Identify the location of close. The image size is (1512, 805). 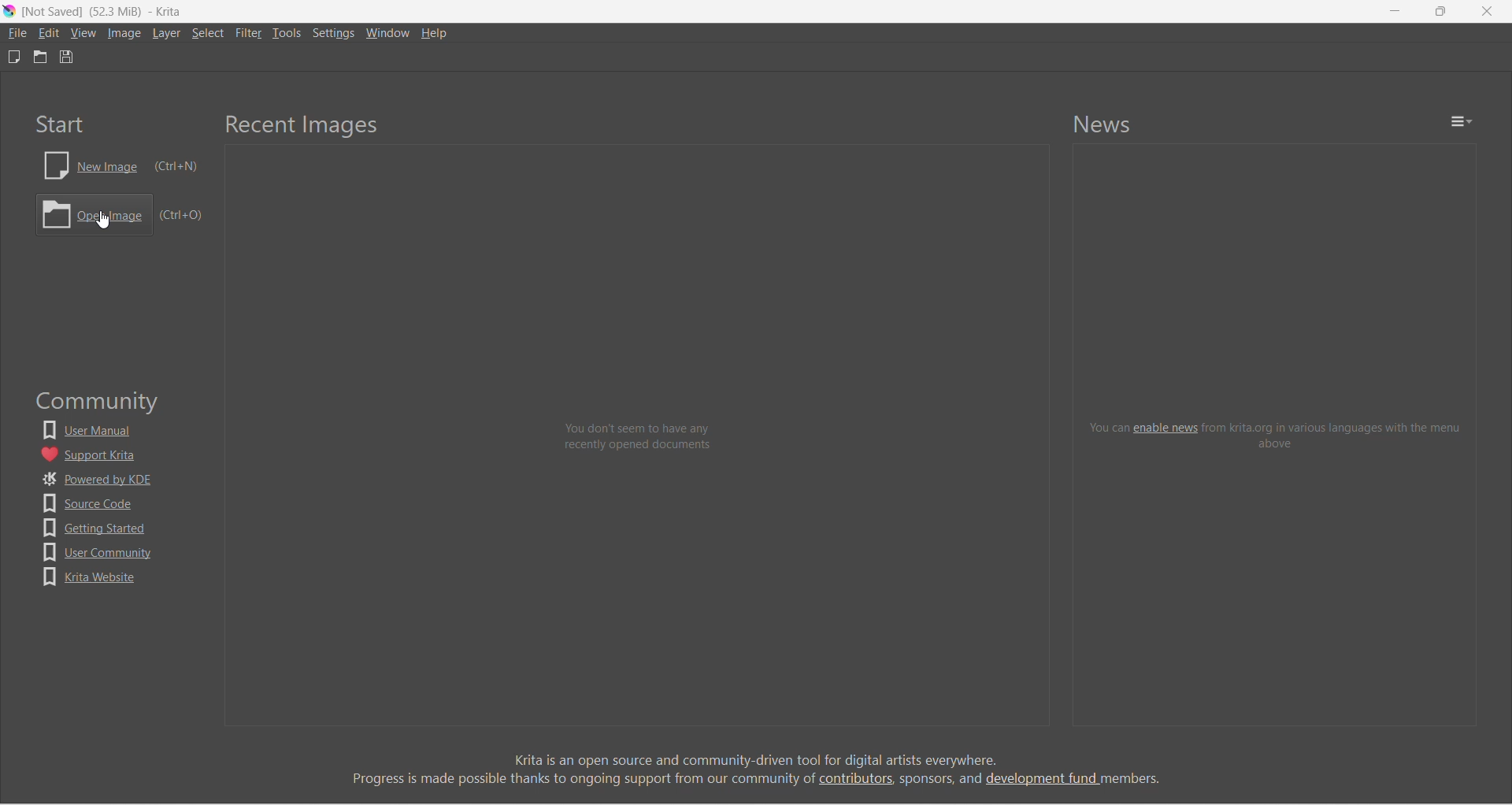
(1487, 11).